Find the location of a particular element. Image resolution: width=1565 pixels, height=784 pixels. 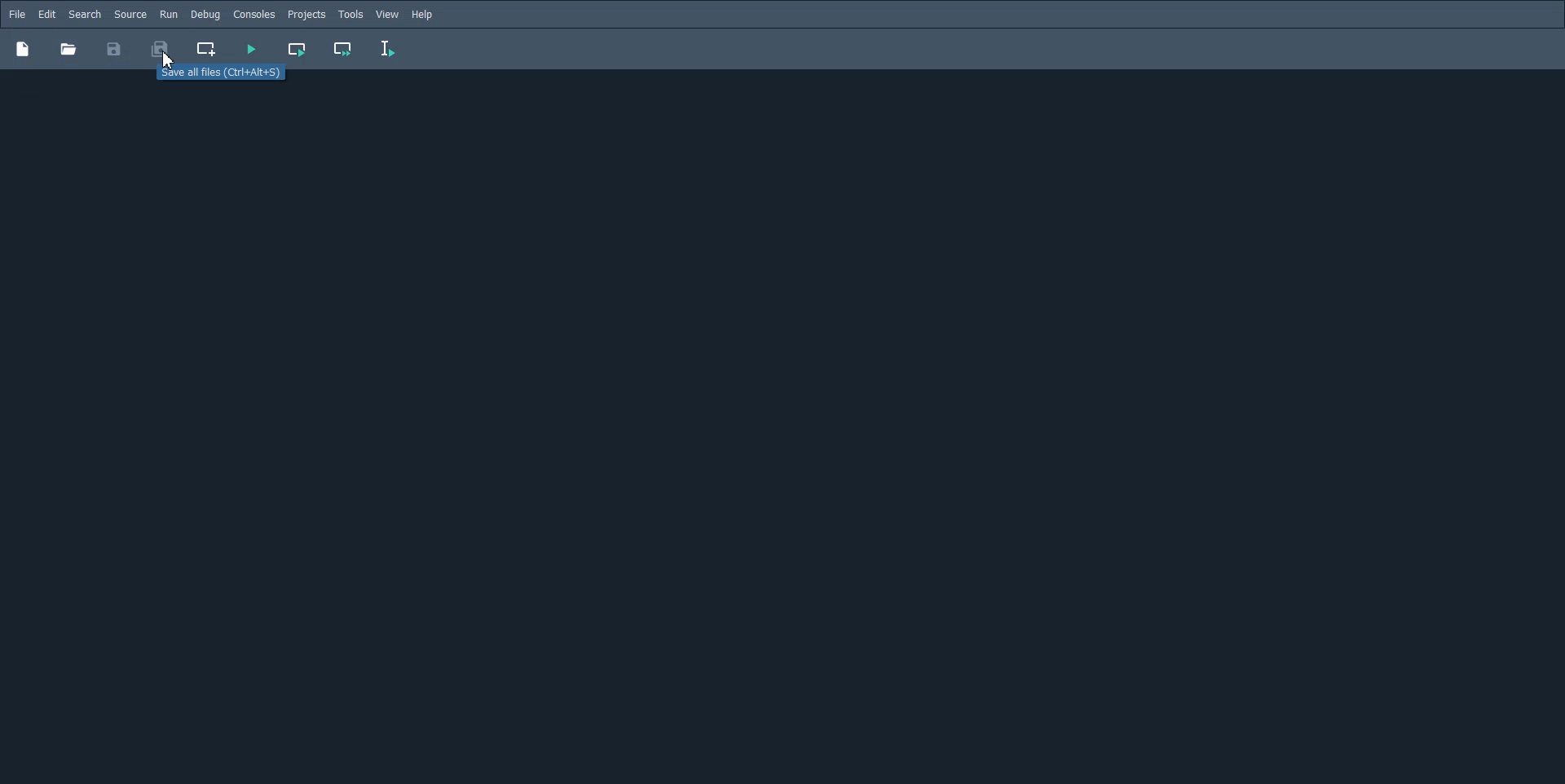

Create new cell is located at coordinates (207, 49).